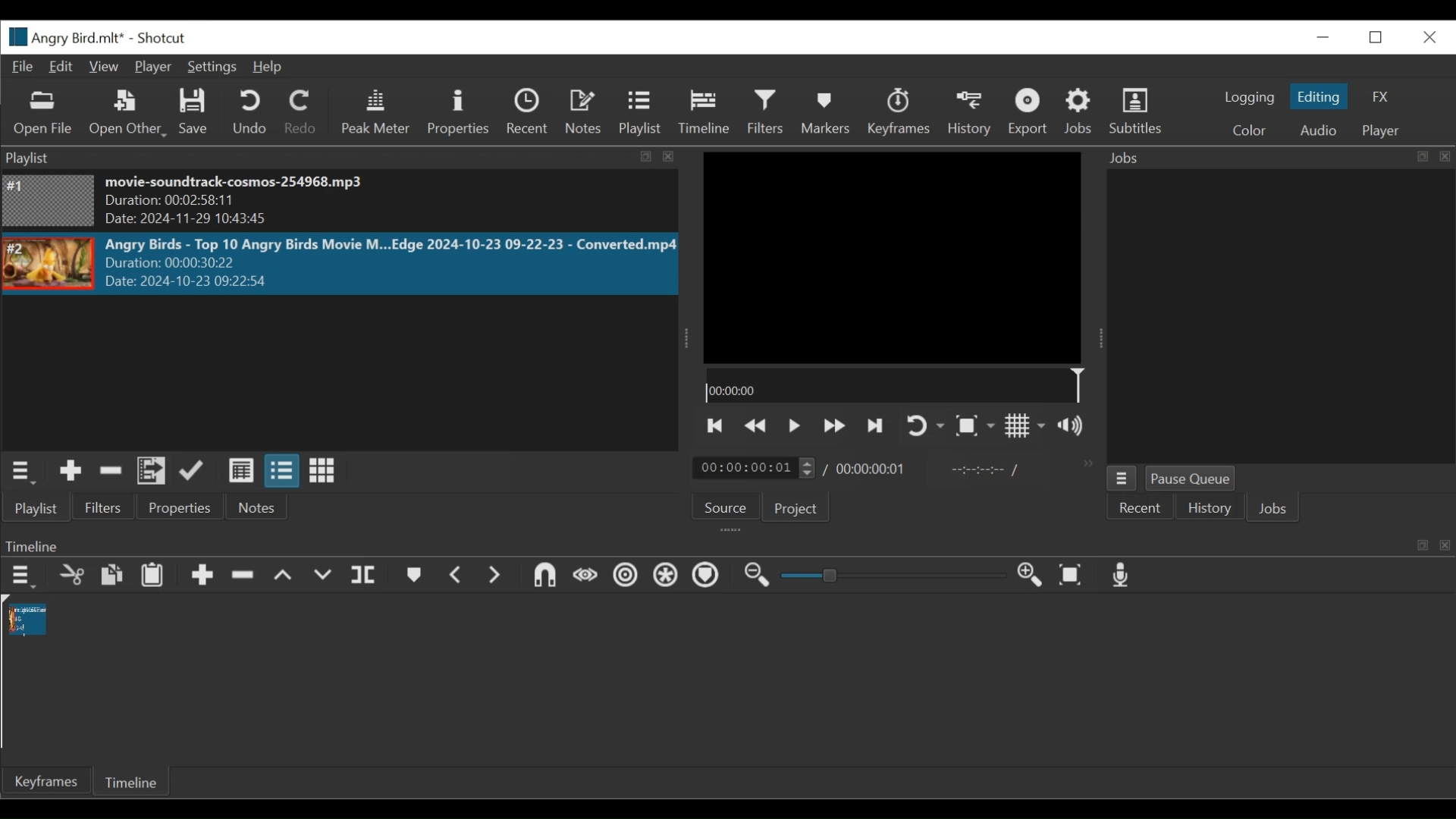 The height and width of the screenshot is (819, 1456). What do you see at coordinates (458, 111) in the screenshot?
I see `Properties` at bounding box center [458, 111].